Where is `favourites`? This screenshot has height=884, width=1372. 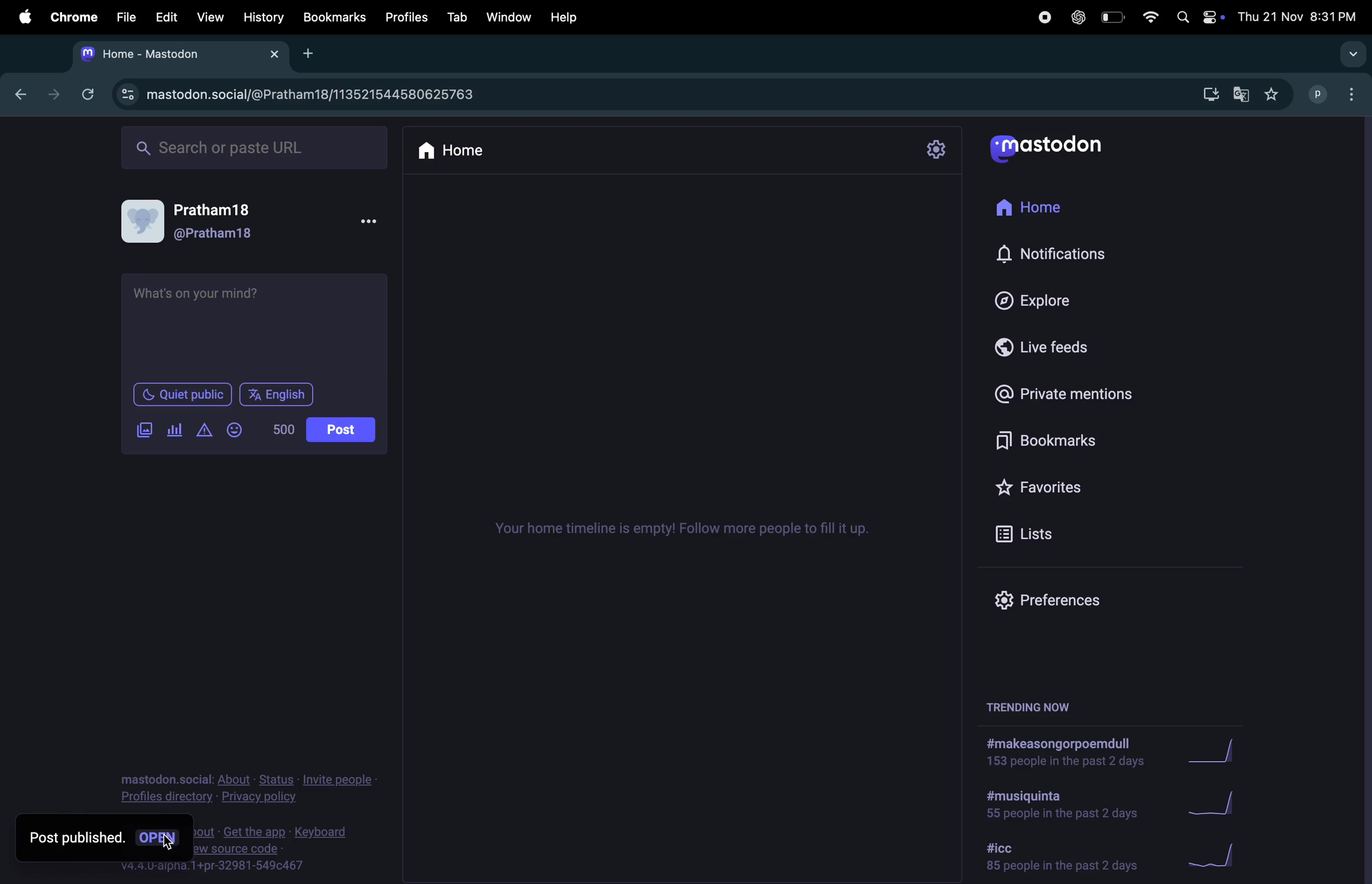
favourites is located at coordinates (1274, 94).